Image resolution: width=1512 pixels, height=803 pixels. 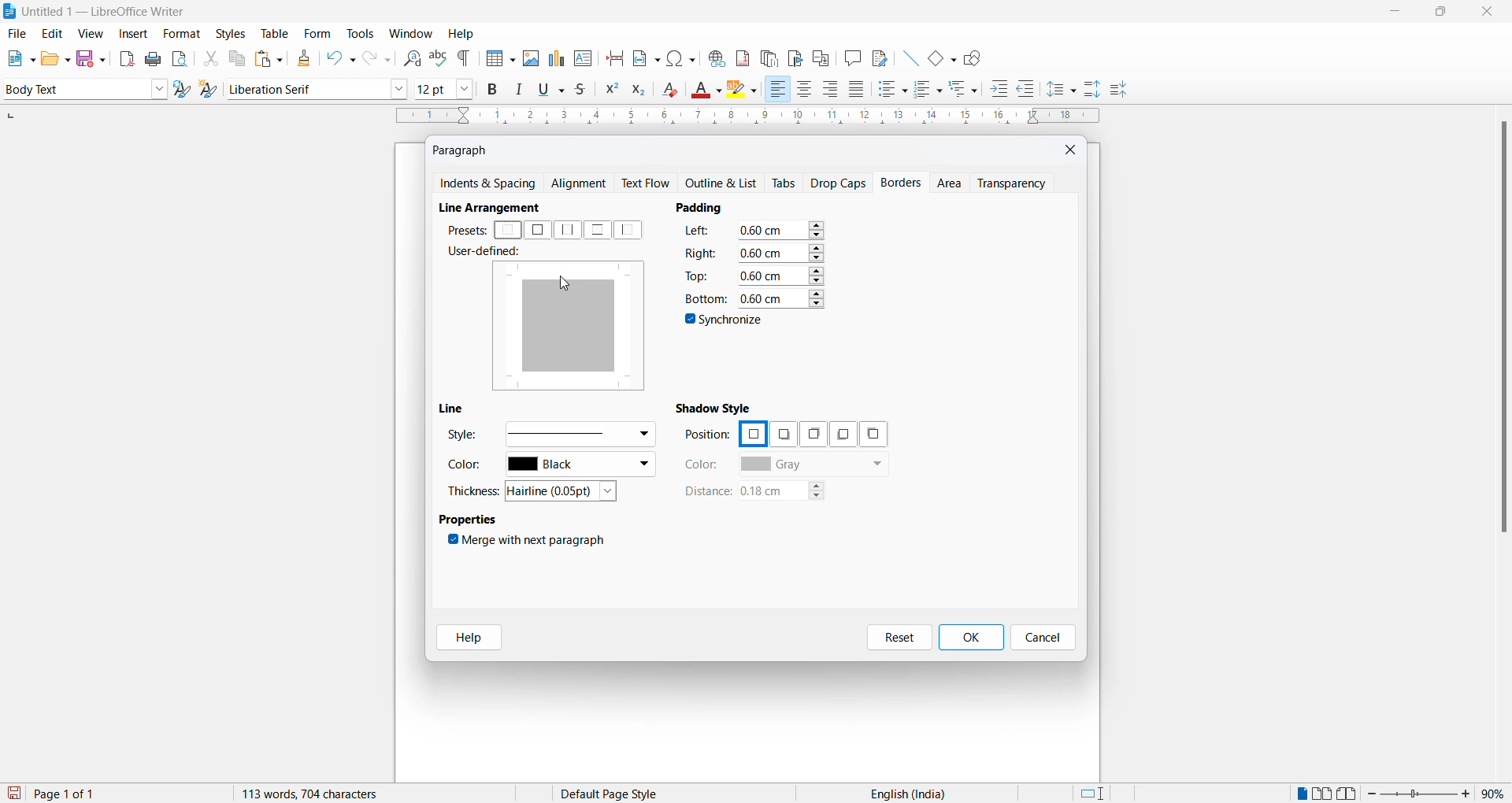 I want to click on clone formatting, so click(x=301, y=58).